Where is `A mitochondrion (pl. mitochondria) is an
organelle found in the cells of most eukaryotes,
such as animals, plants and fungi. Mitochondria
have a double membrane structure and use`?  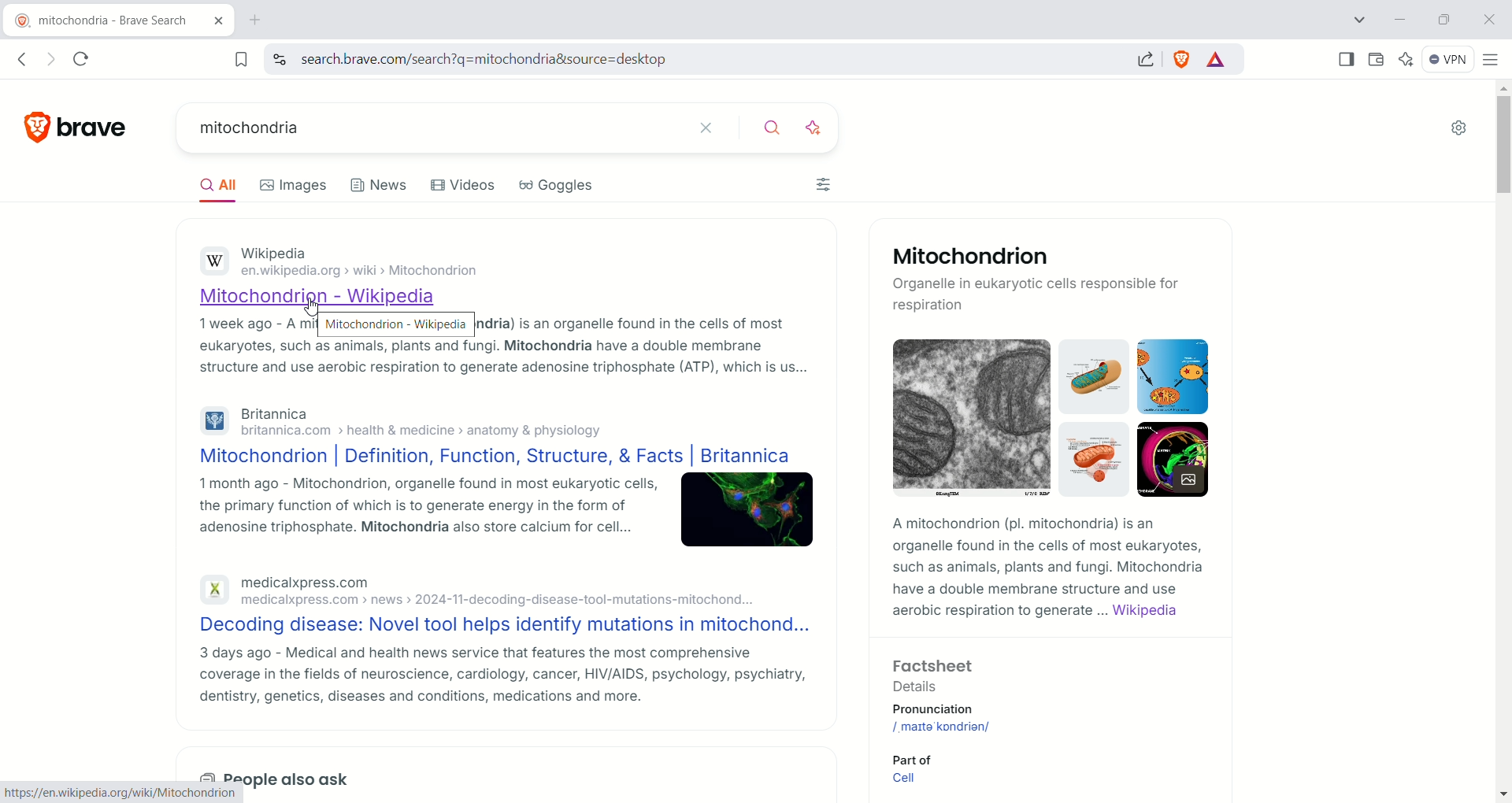
A mitochondrion (pl. mitochondria) is an
organelle found in the cells of most eukaryotes,
such as animals, plants and fungi. Mitochondria
have a double membrane structure and use is located at coordinates (1048, 551).